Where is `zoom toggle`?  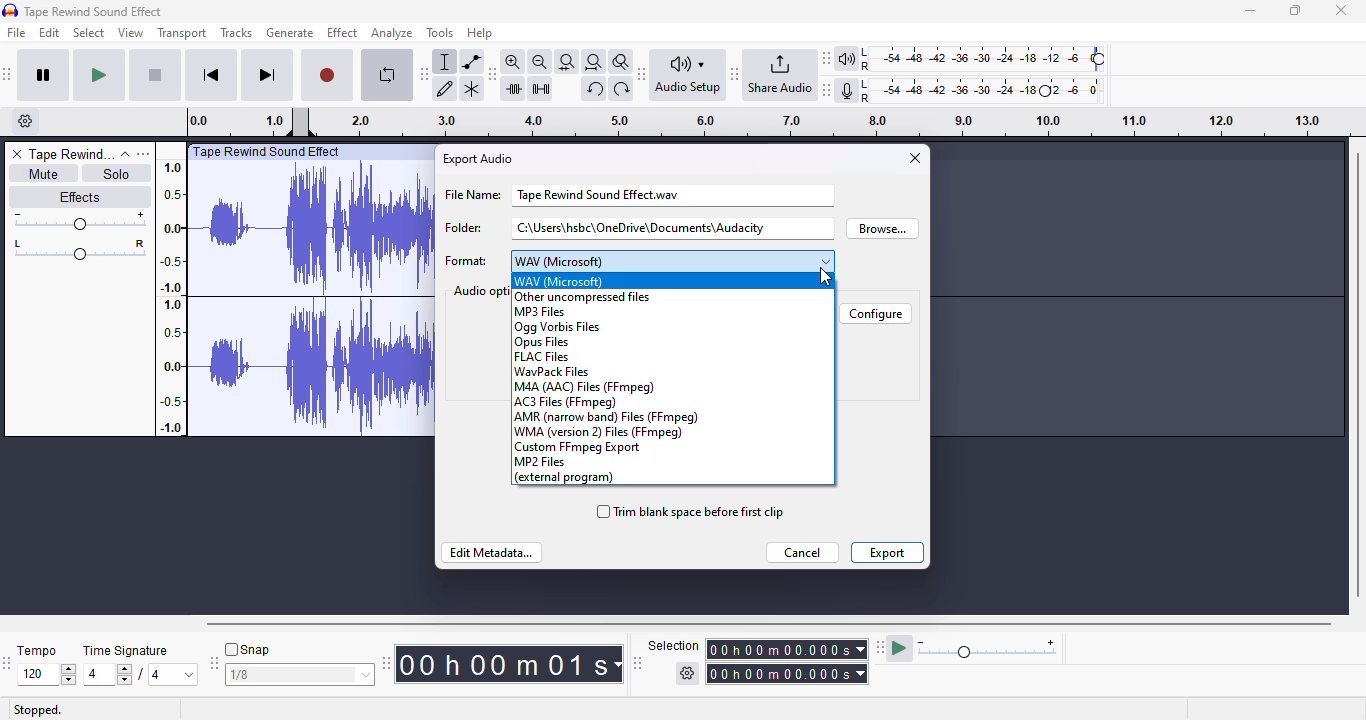 zoom toggle is located at coordinates (622, 62).